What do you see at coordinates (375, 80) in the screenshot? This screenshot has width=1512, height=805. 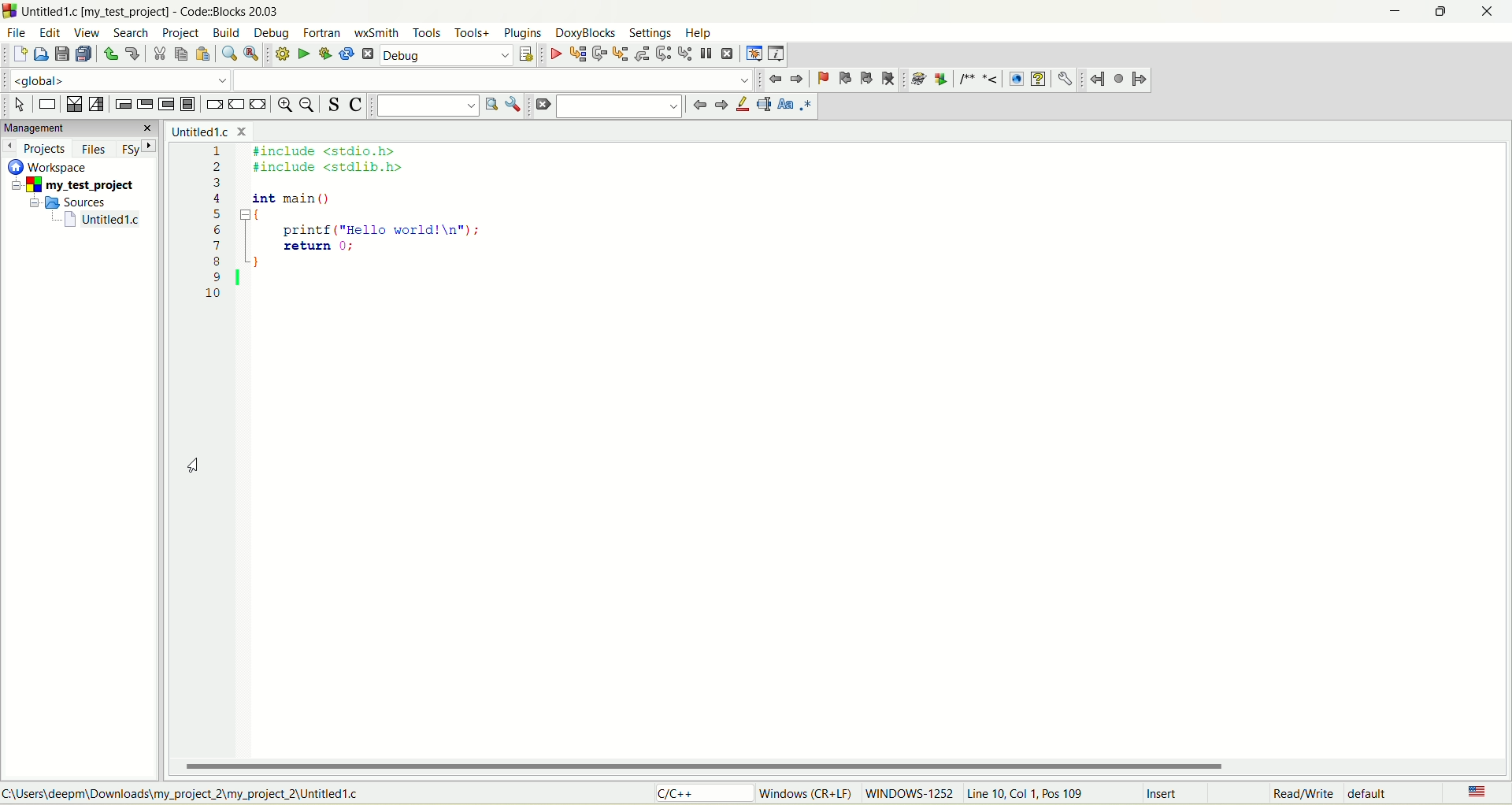 I see `Code completion compiler` at bounding box center [375, 80].